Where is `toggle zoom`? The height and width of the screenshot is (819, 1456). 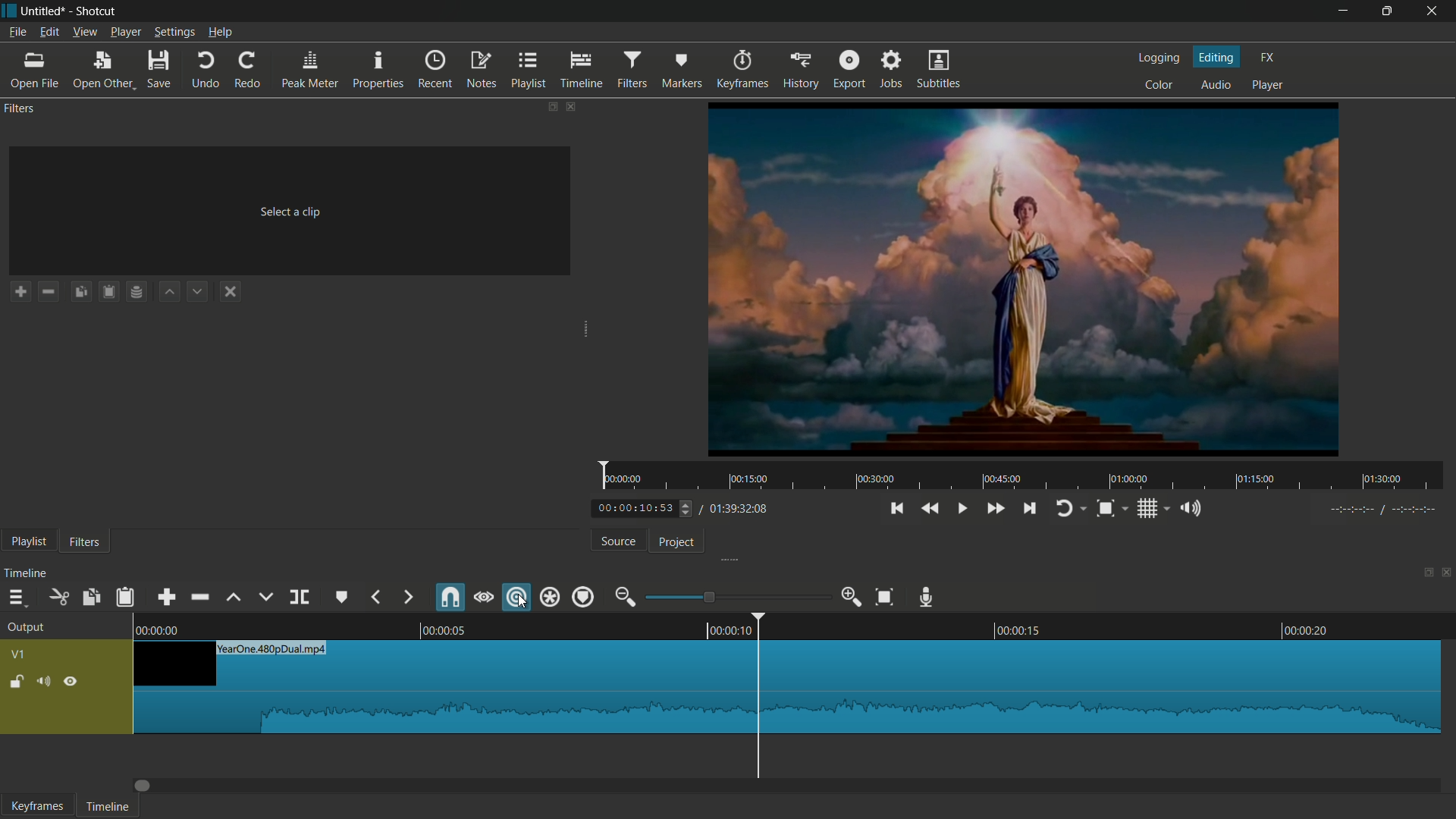 toggle zoom is located at coordinates (1105, 509).